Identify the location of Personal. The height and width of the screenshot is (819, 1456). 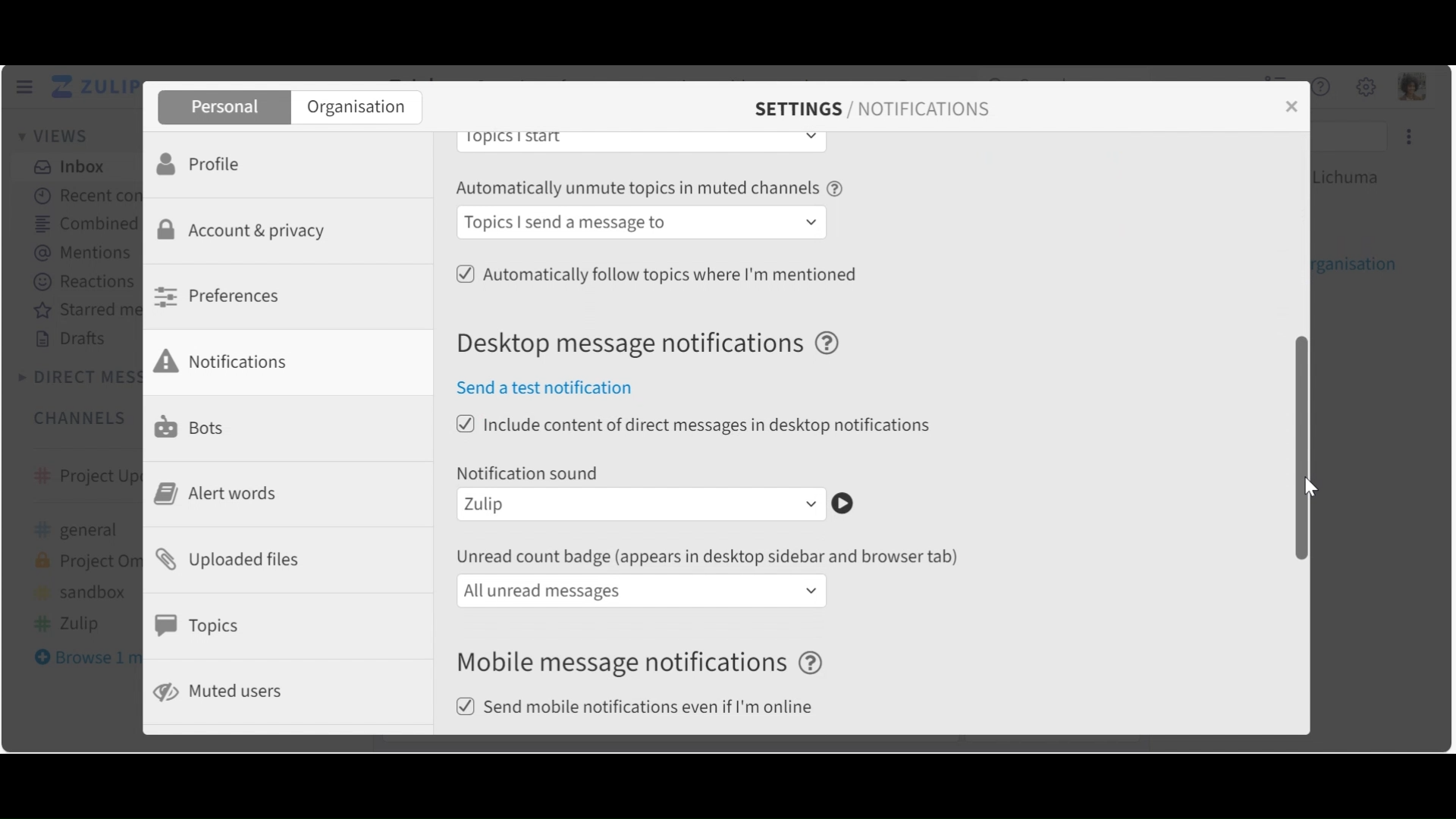
(222, 108).